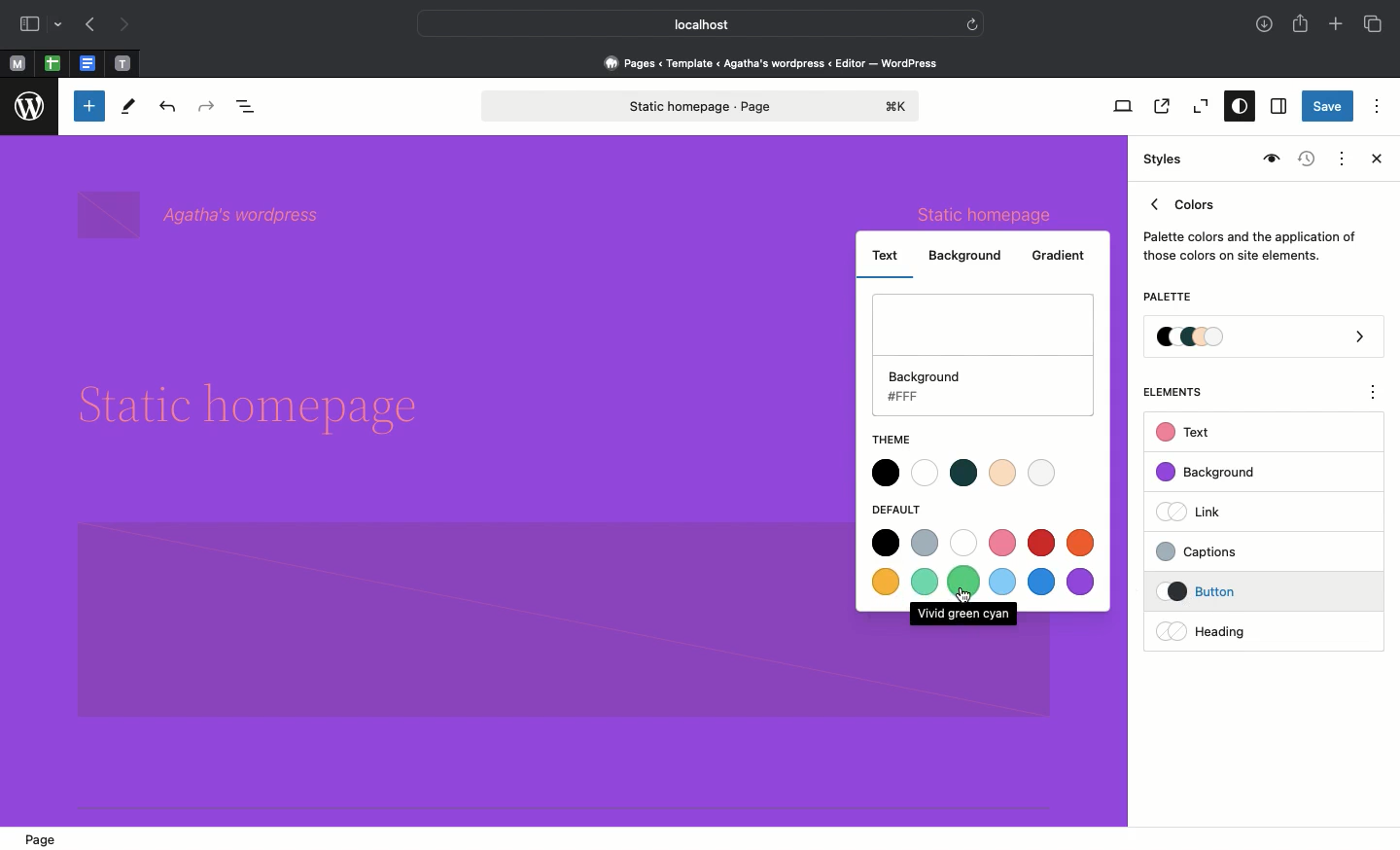  What do you see at coordinates (886, 258) in the screenshot?
I see `Text` at bounding box center [886, 258].